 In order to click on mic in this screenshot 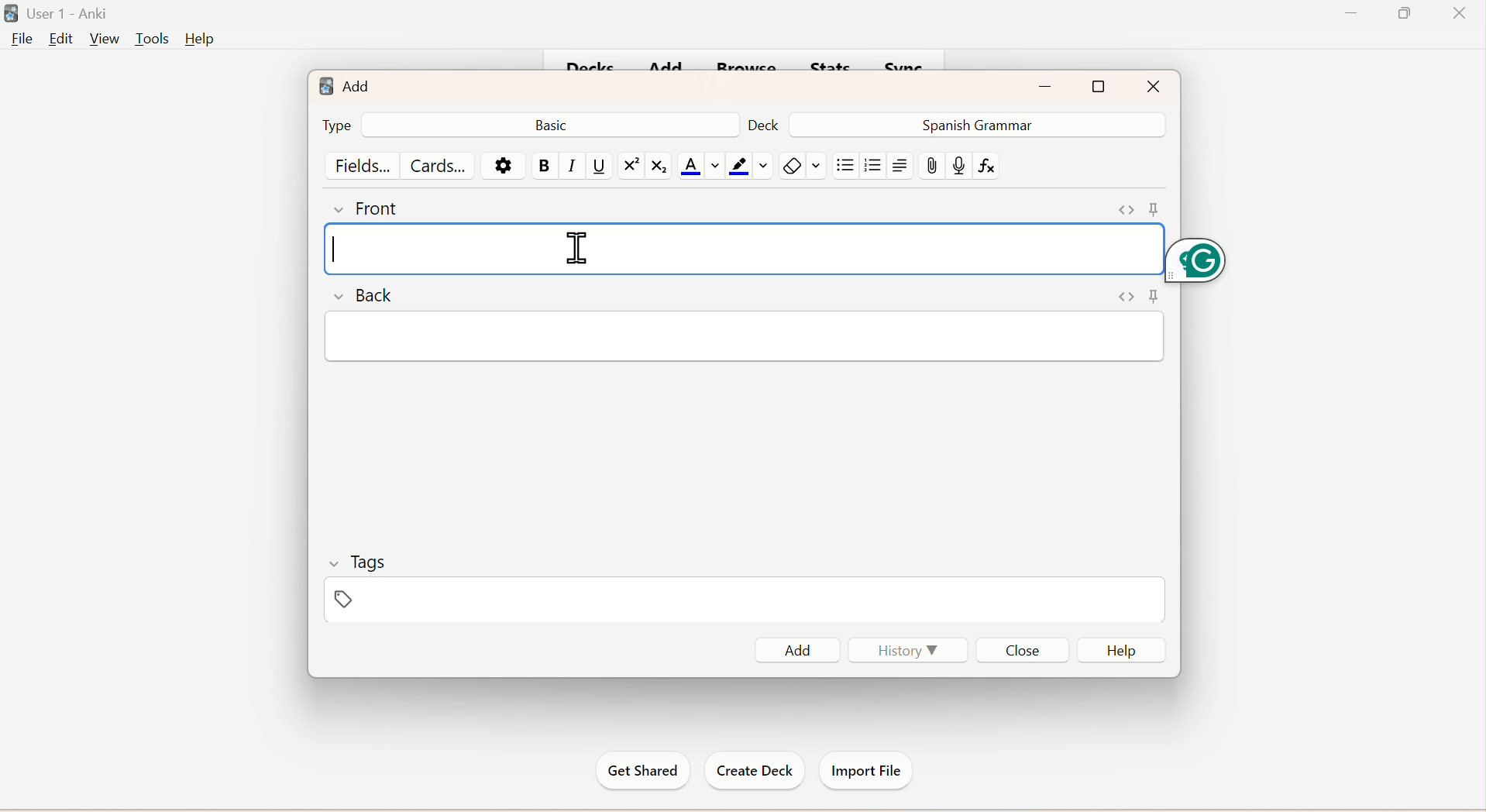, I will do `click(958, 168)`.